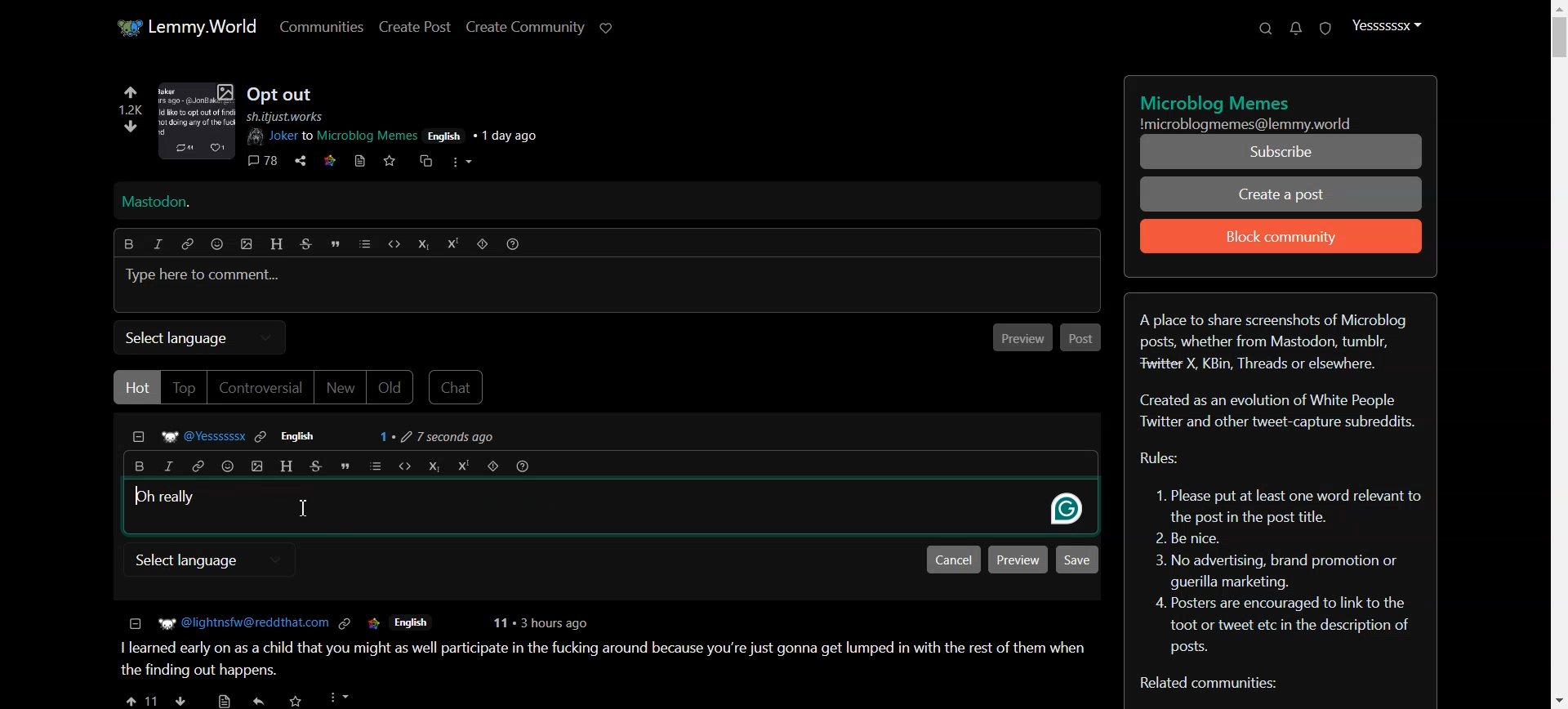 The height and width of the screenshot is (709, 1568). I want to click on Superscript, so click(453, 244).